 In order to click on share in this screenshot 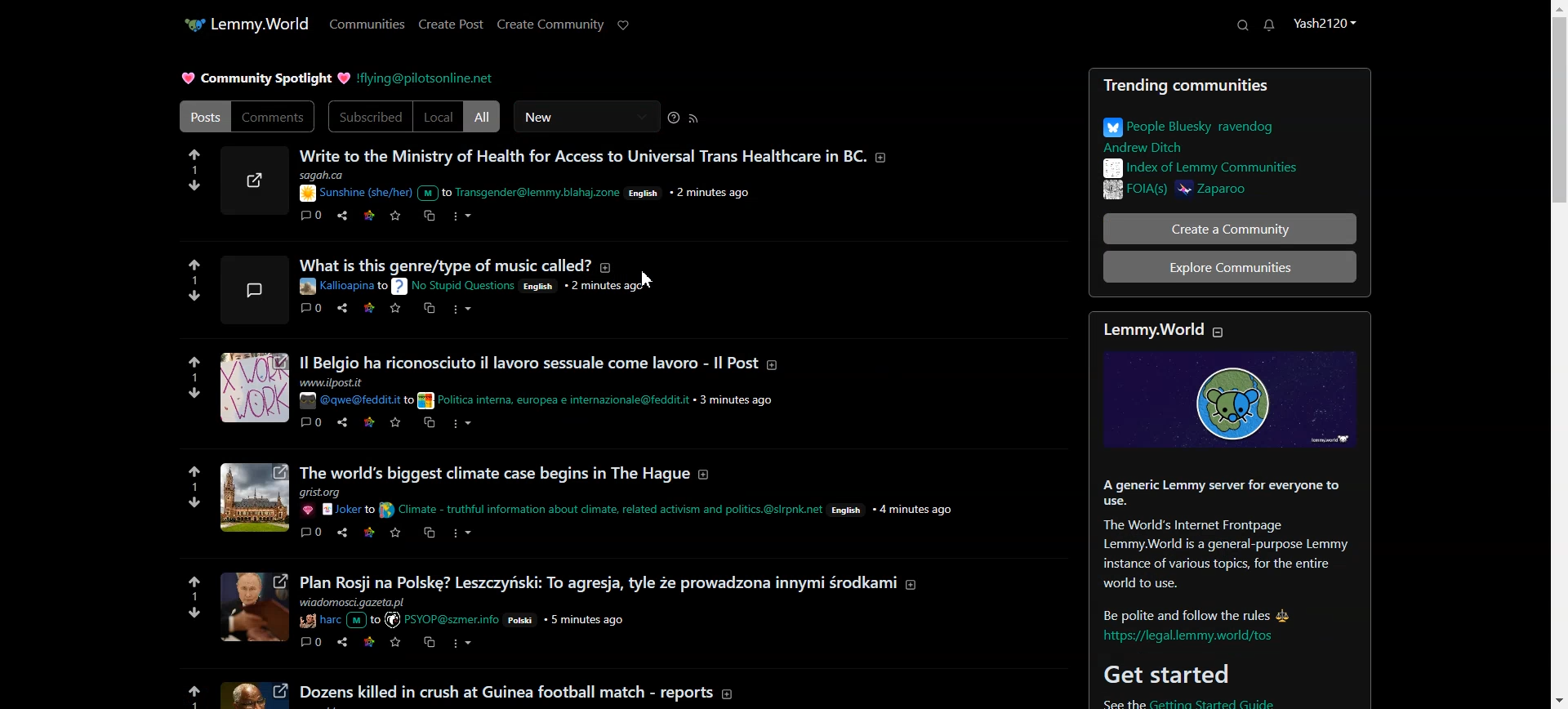, I will do `click(344, 315)`.